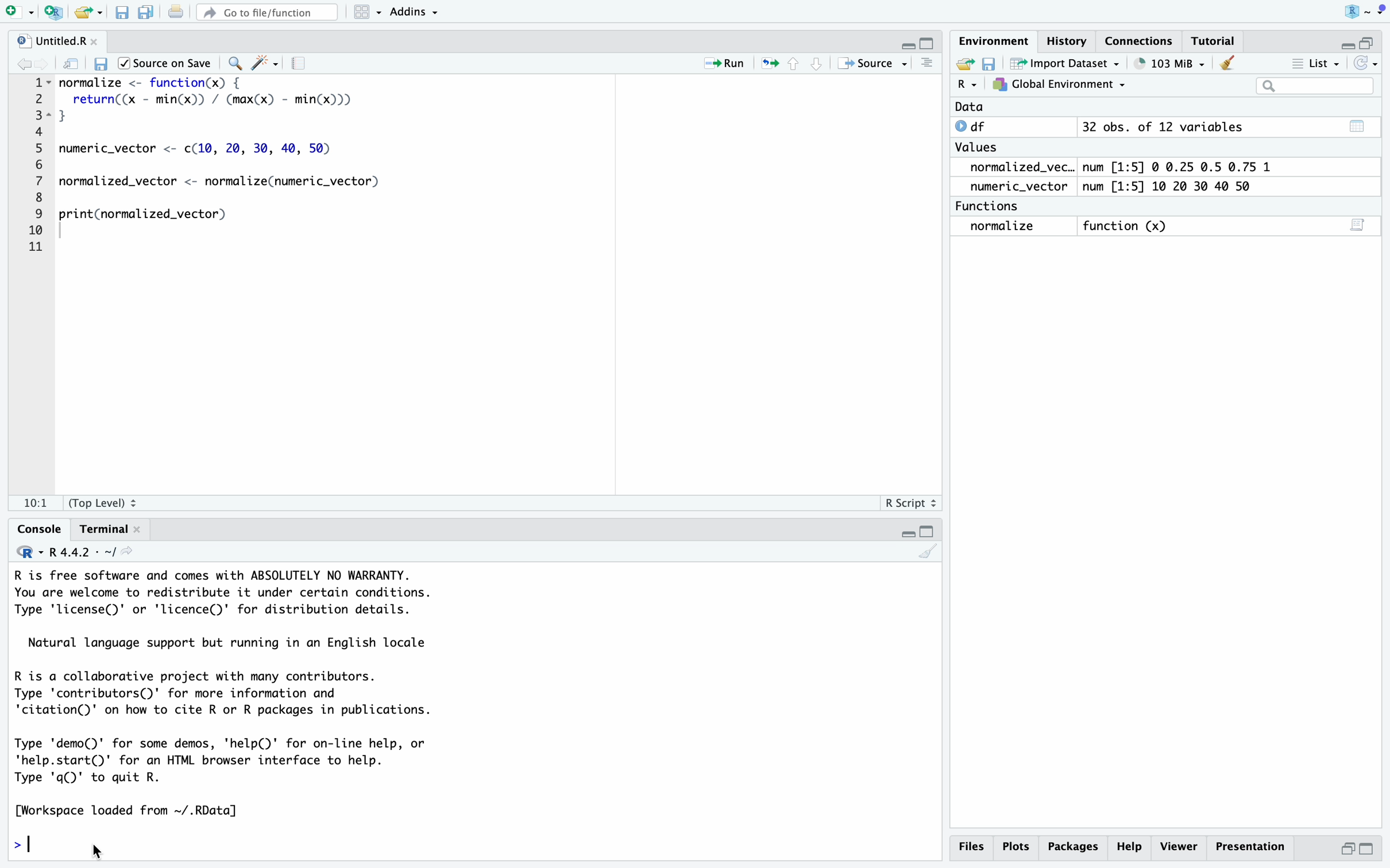 This screenshot has width=1390, height=868. I want to click on Code Tools, so click(268, 62).